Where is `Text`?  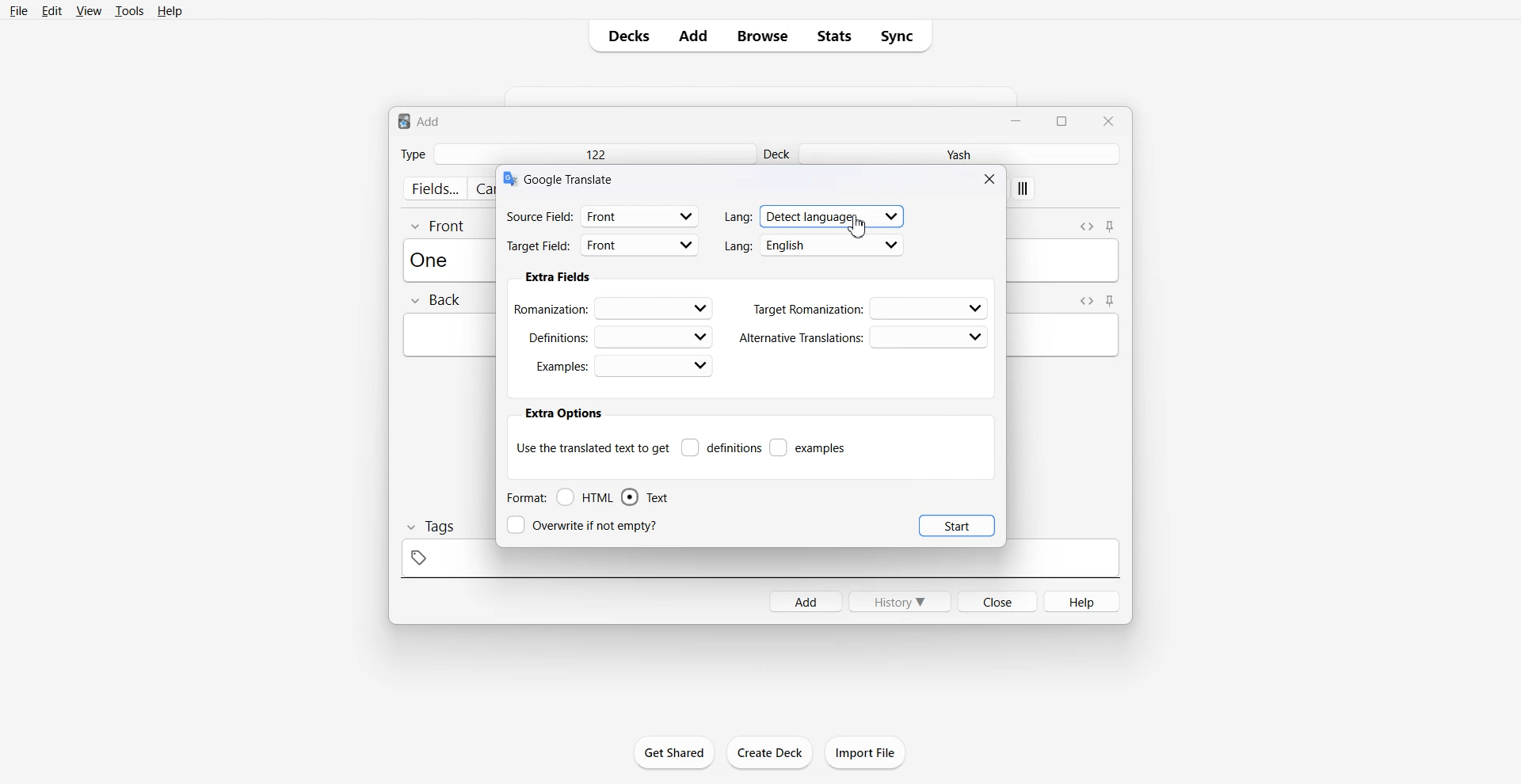
Text is located at coordinates (434, 259).